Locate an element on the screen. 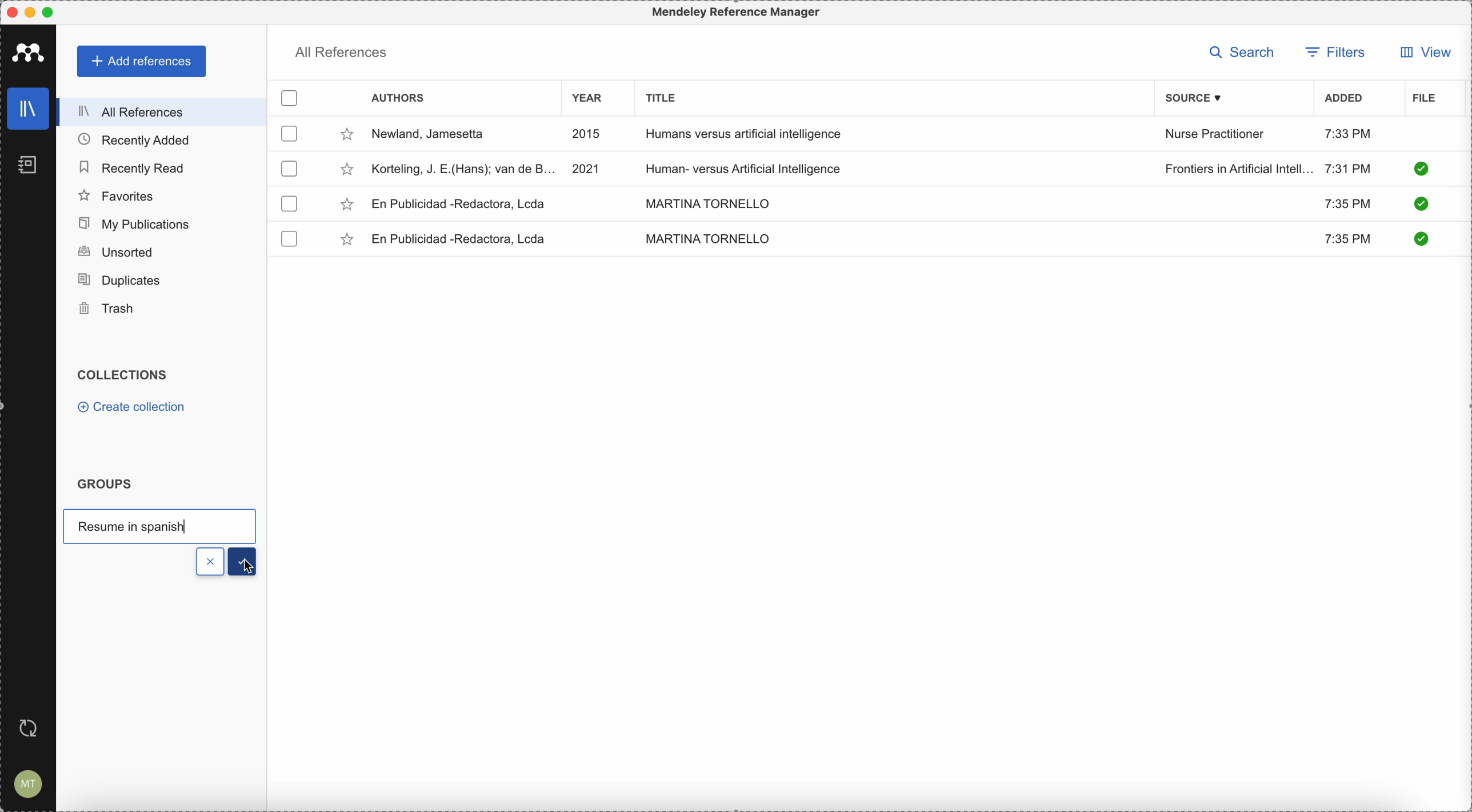  2015 is located at coordinates (589, 135).